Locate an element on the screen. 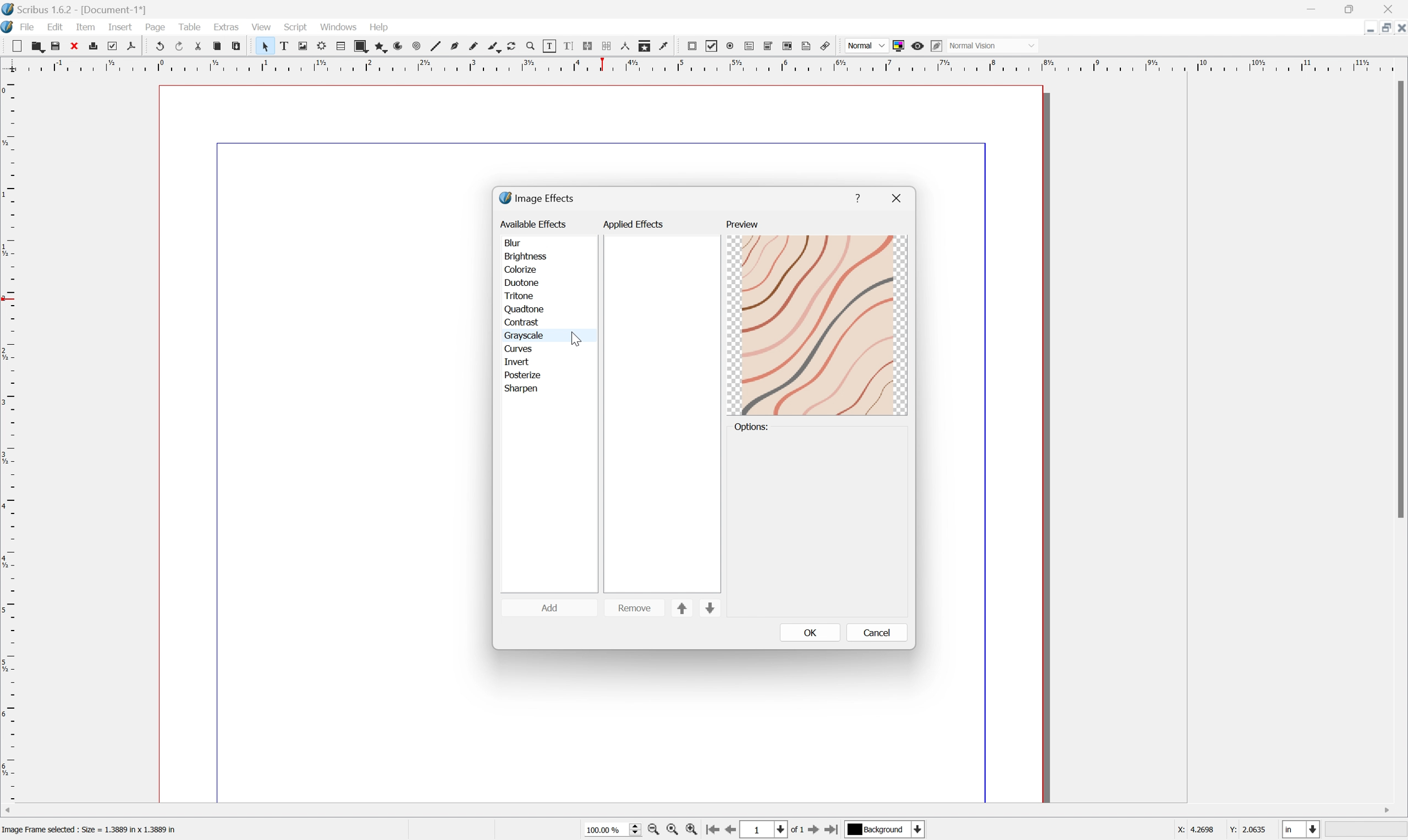 The width and height of the screenshot is (1408, 840). Line is located at coordinates (439, 47).